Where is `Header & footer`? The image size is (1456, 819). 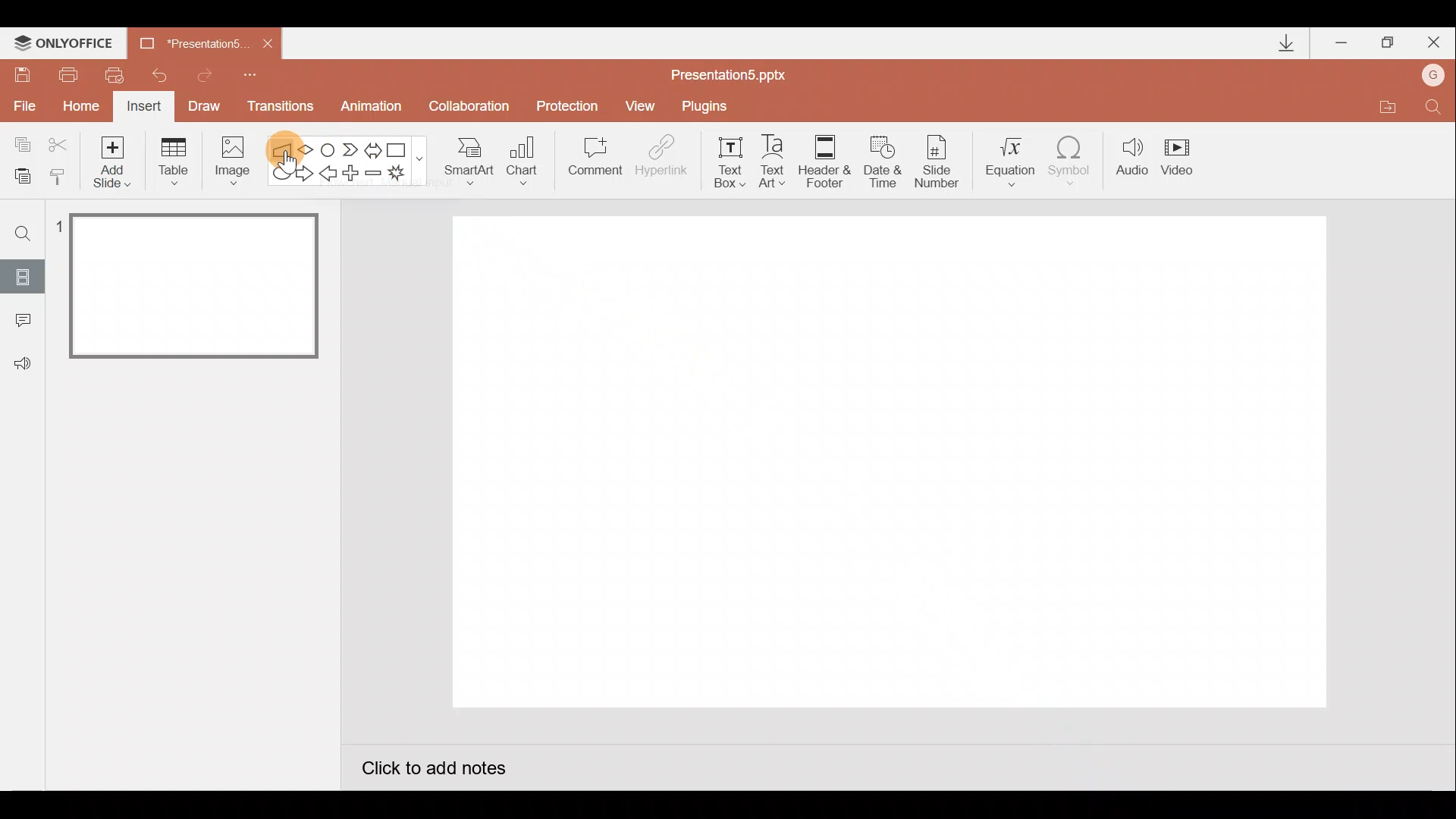
Header & footer is located at coordinates (824, 160).